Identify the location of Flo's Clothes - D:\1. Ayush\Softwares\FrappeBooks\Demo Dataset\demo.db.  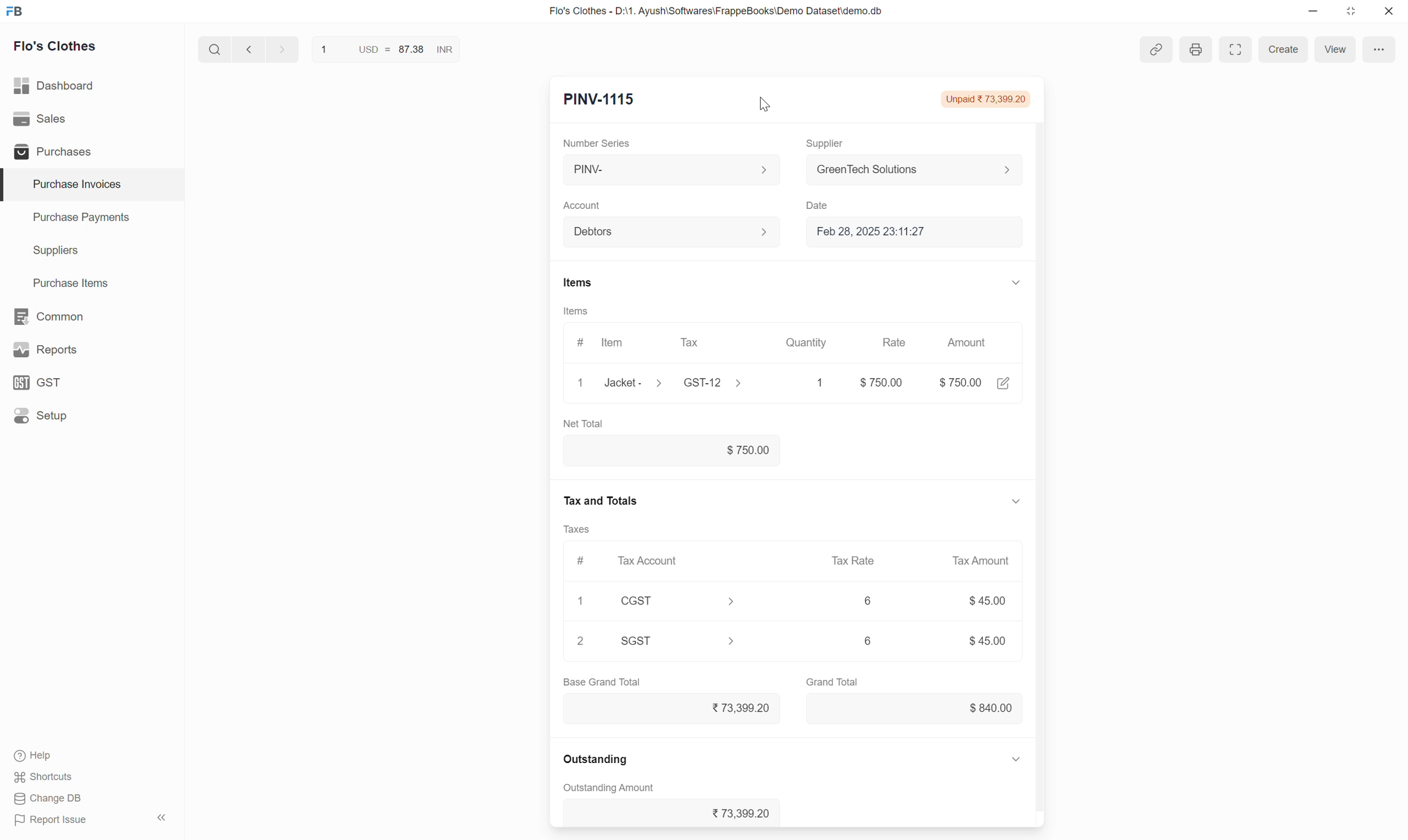
(717, 11).